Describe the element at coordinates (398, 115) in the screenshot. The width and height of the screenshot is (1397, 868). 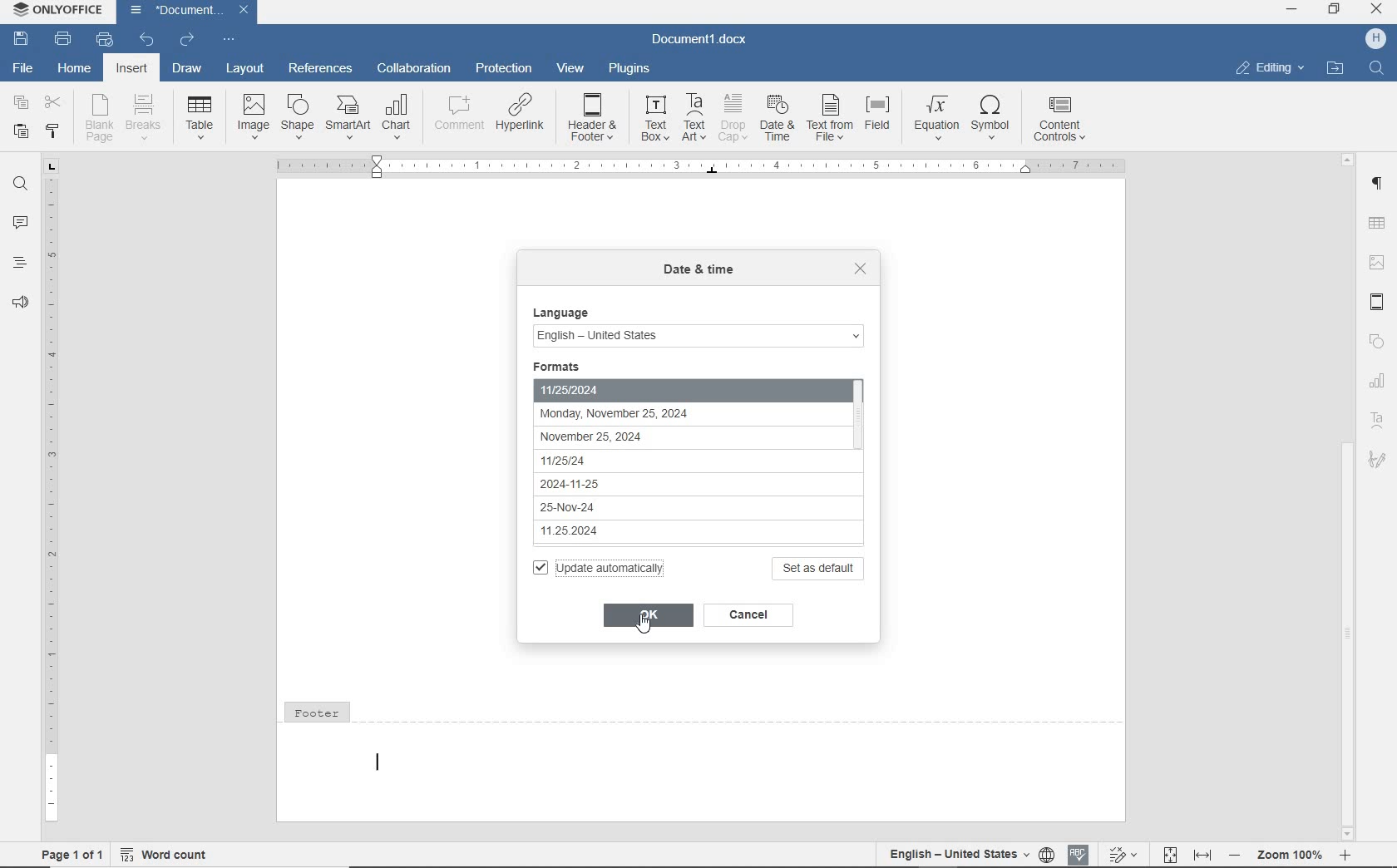
I see `chart` at that location.